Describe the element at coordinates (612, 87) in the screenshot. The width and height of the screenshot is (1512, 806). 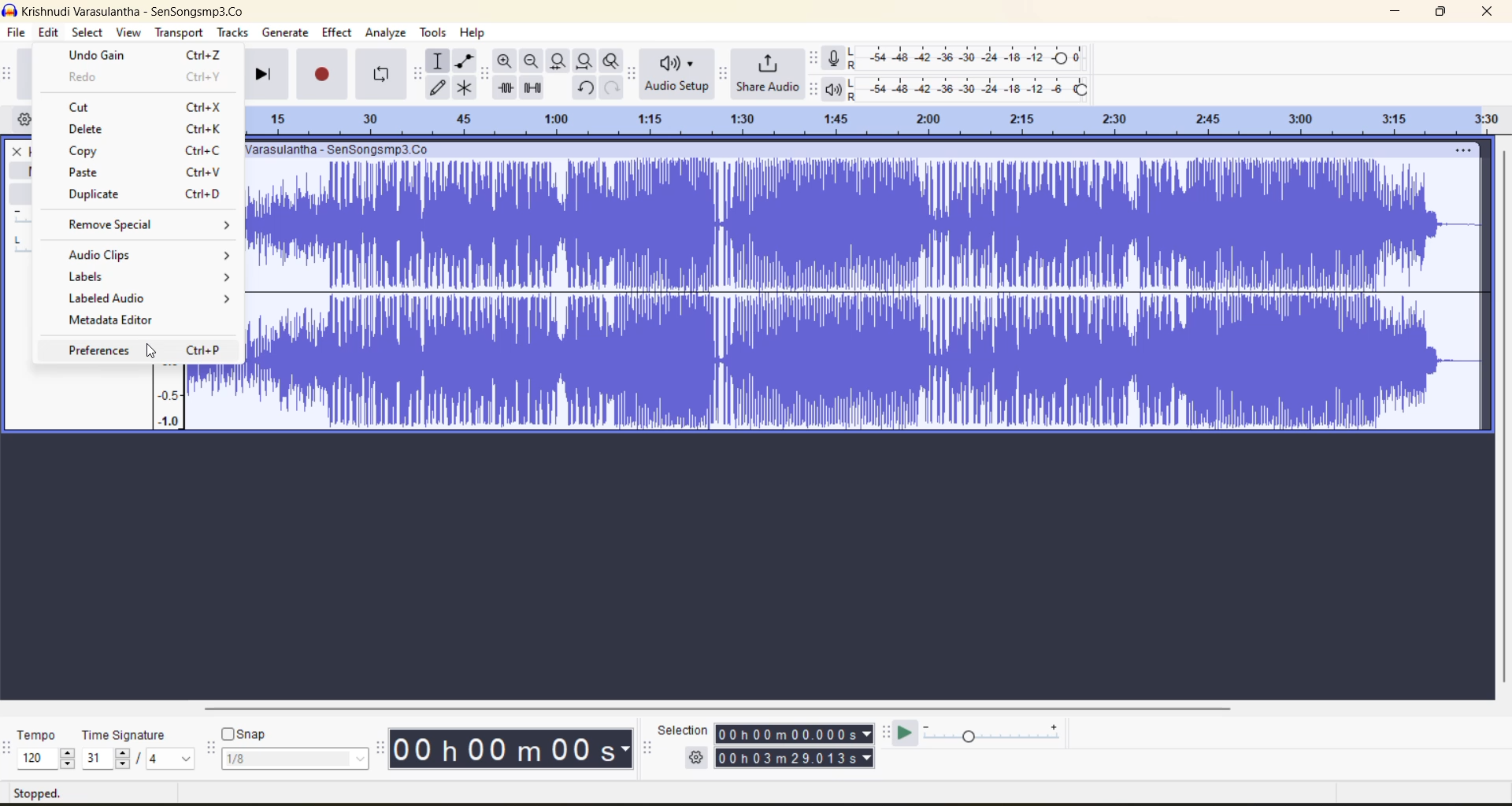
I see `redo` at that location.